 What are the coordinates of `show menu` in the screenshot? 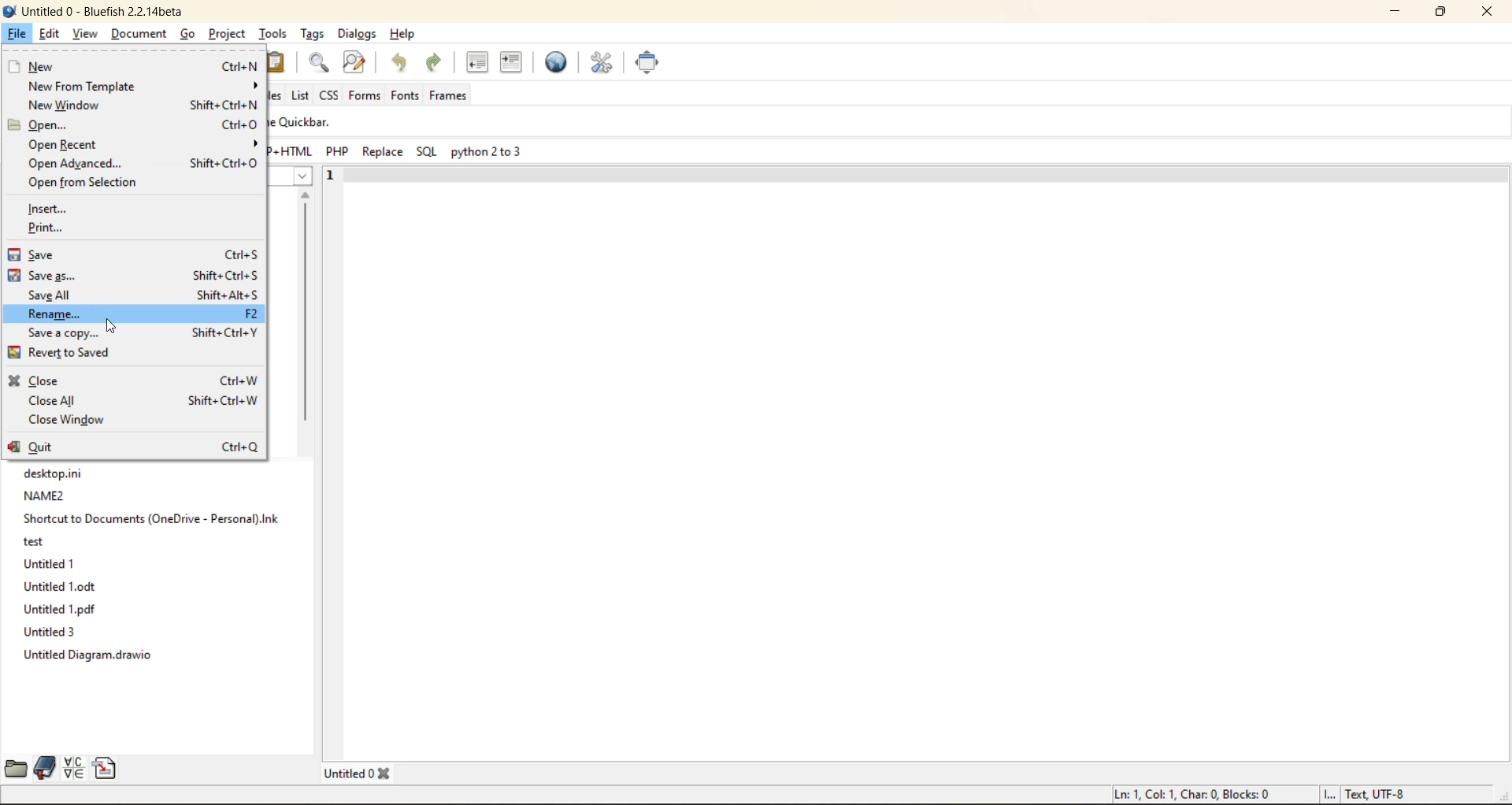 It's located at (306, 183).